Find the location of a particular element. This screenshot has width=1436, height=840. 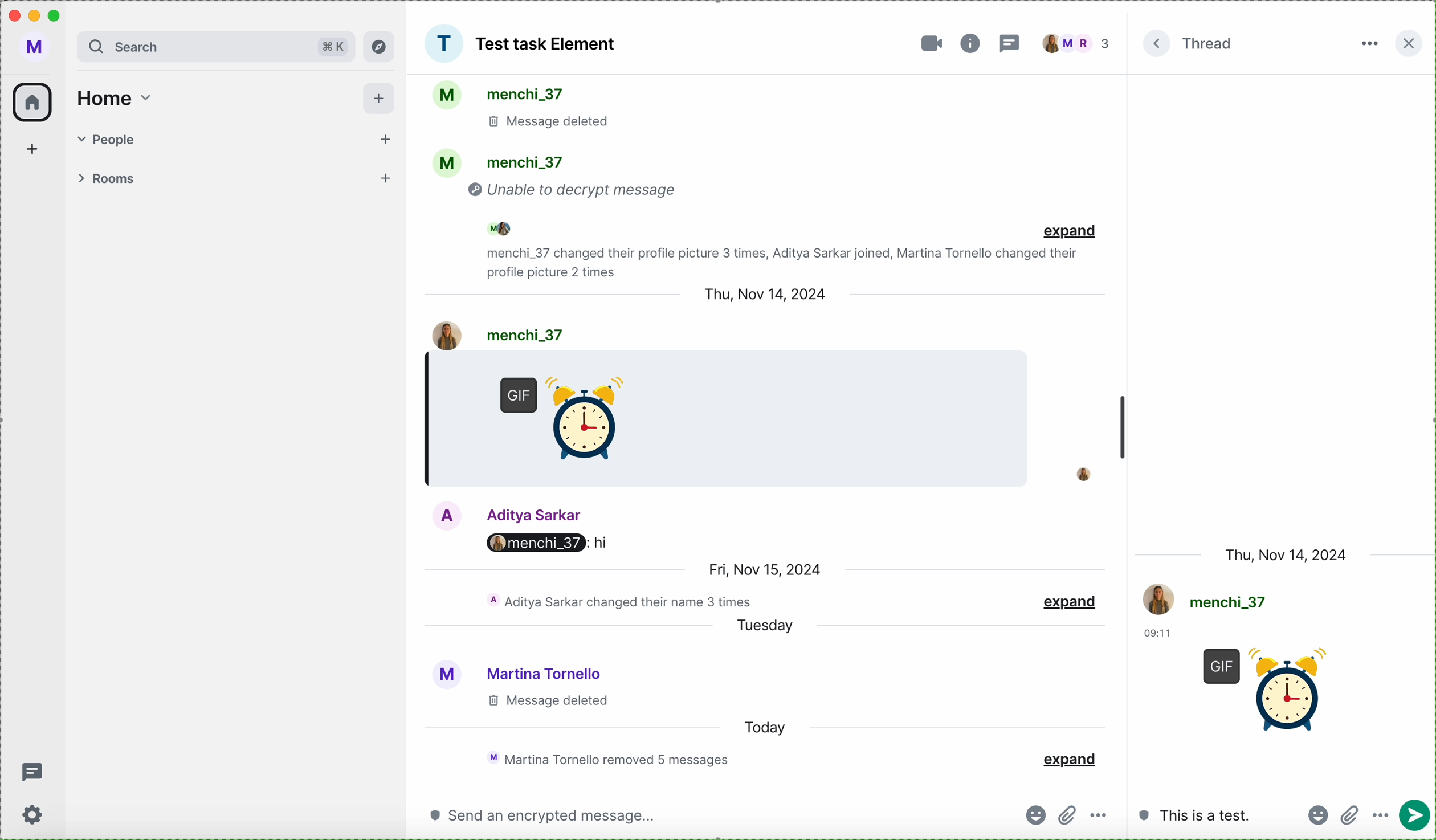

profile picture is located at coordinates (1076, 473).